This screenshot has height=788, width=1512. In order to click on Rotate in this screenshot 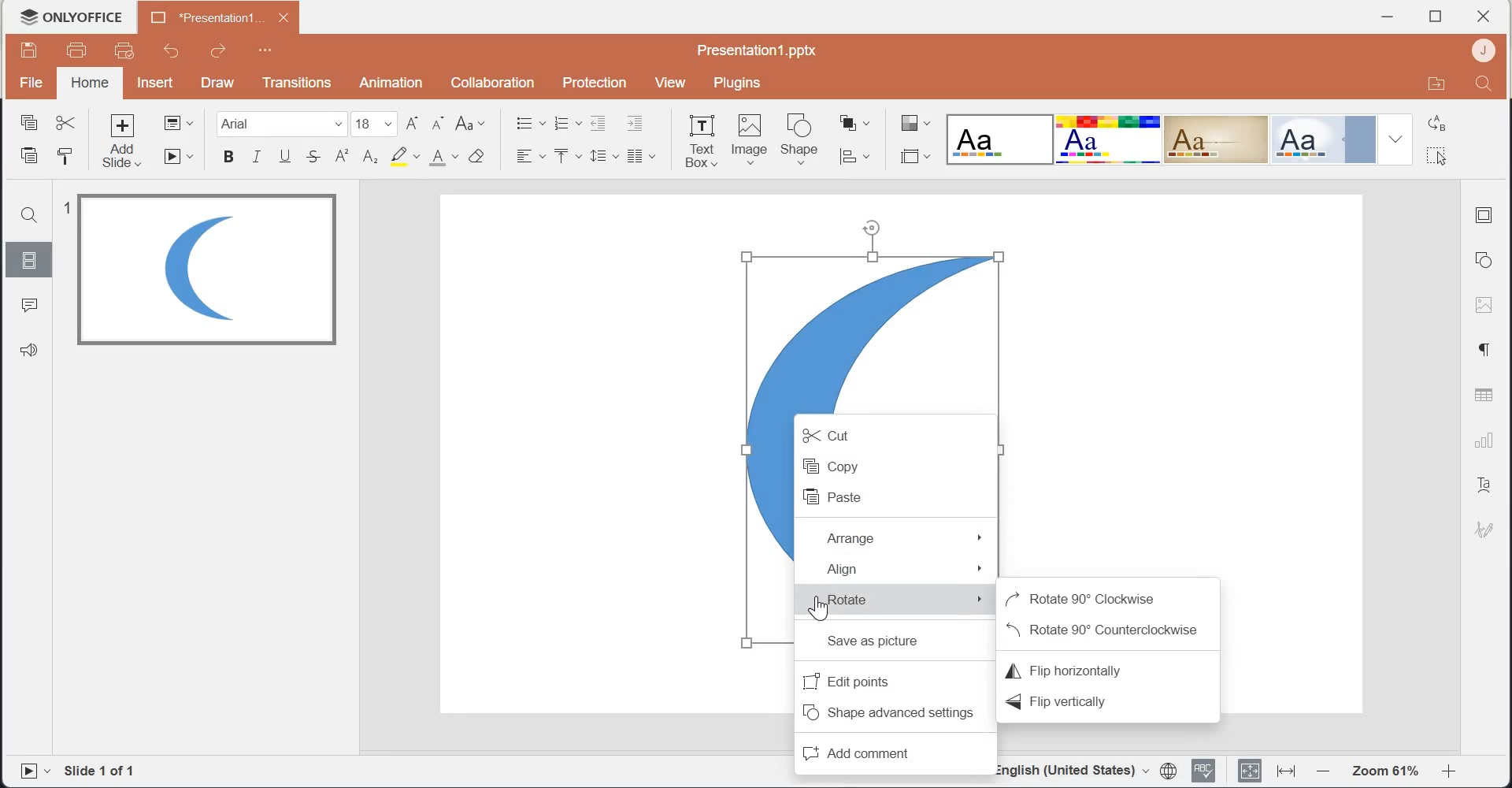, I will do `click(906, 598)`.